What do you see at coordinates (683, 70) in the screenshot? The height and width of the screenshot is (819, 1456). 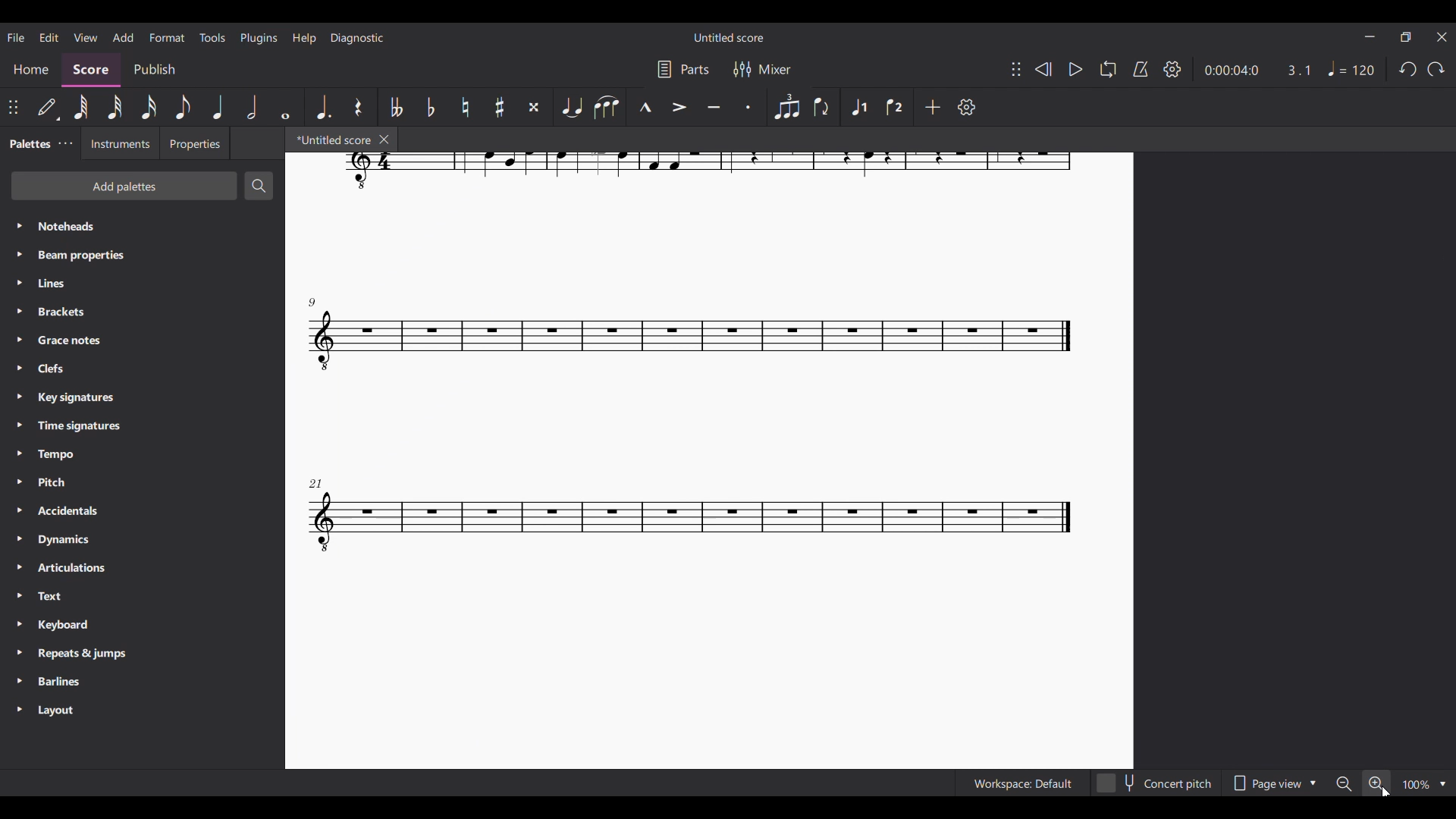 I see `Parts settings` at bounding box center [683, 70].